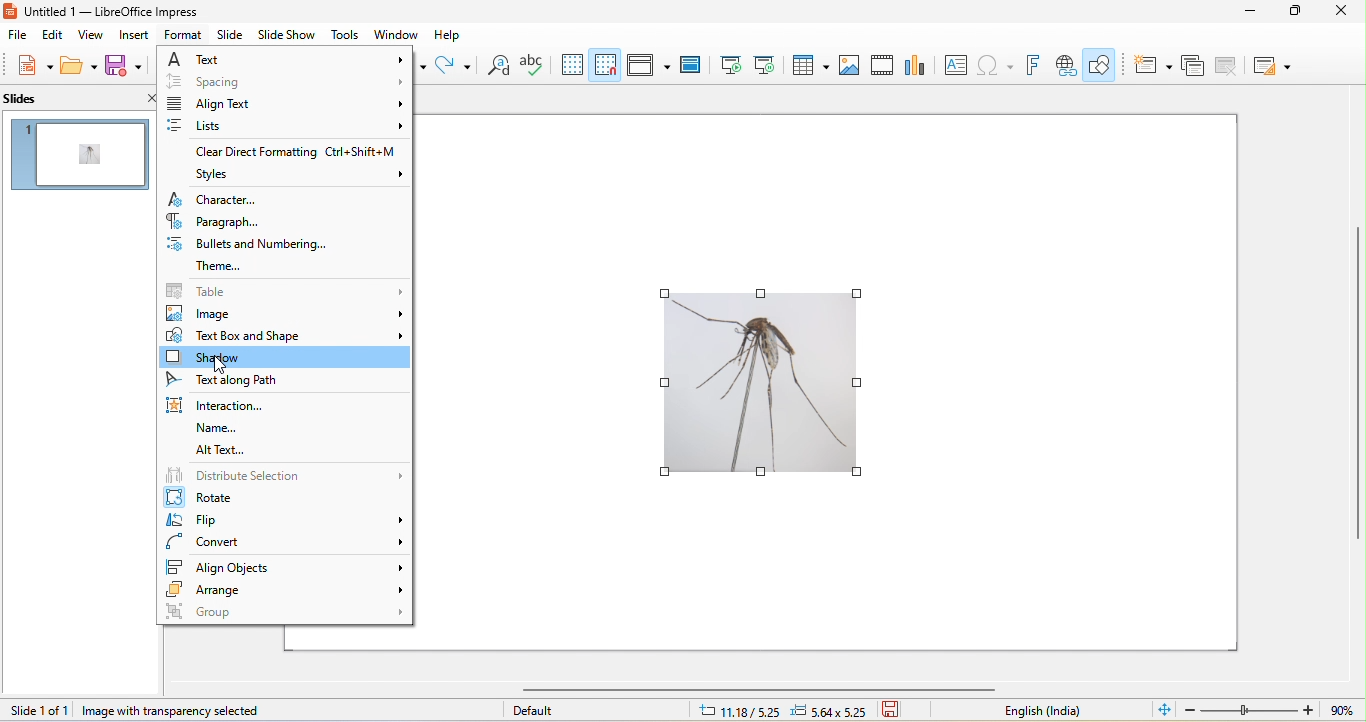  I want to click on text, so click(289, 60).